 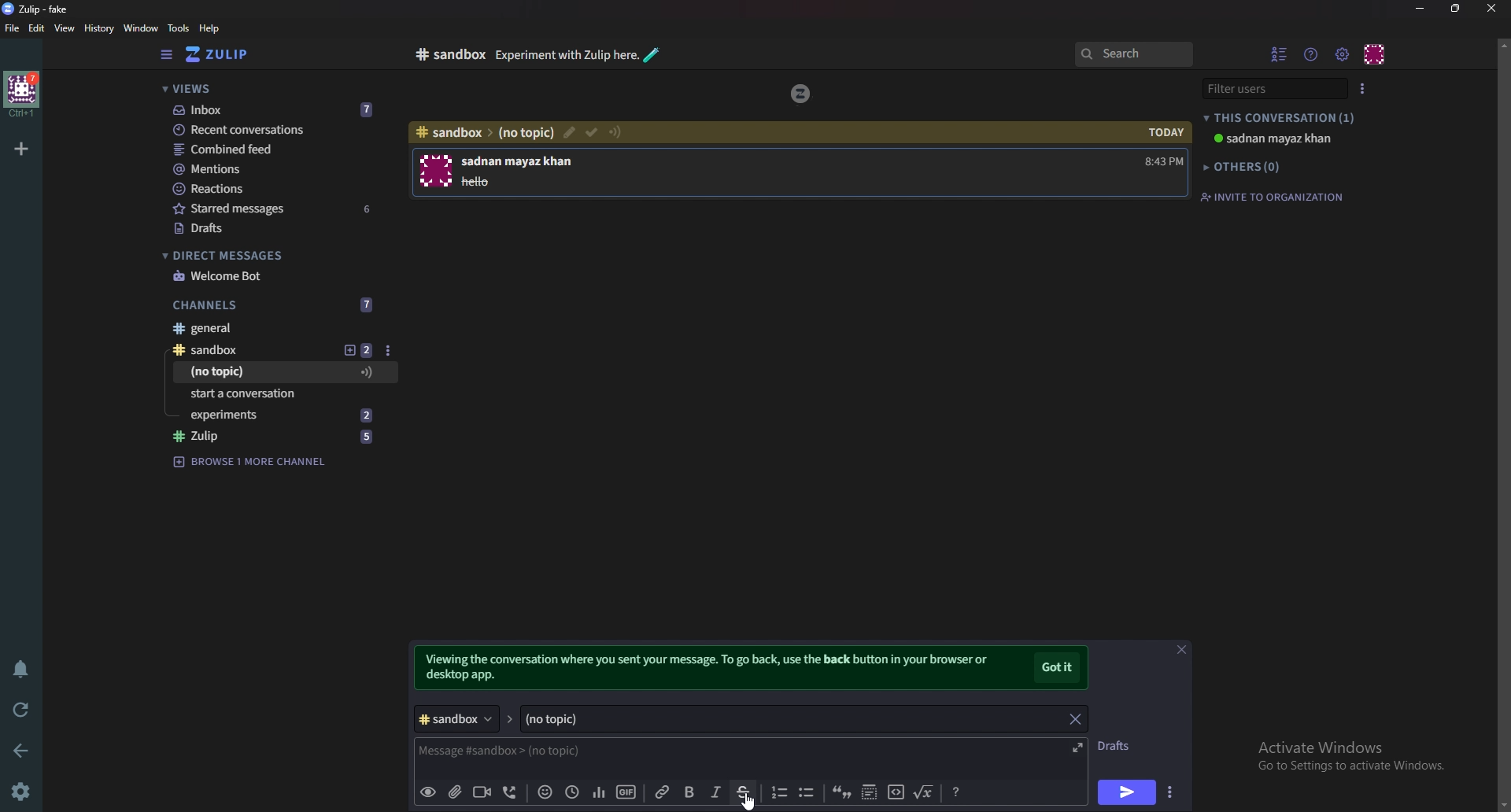 I want to click on scroll bar, so click(x=1500, y=422).